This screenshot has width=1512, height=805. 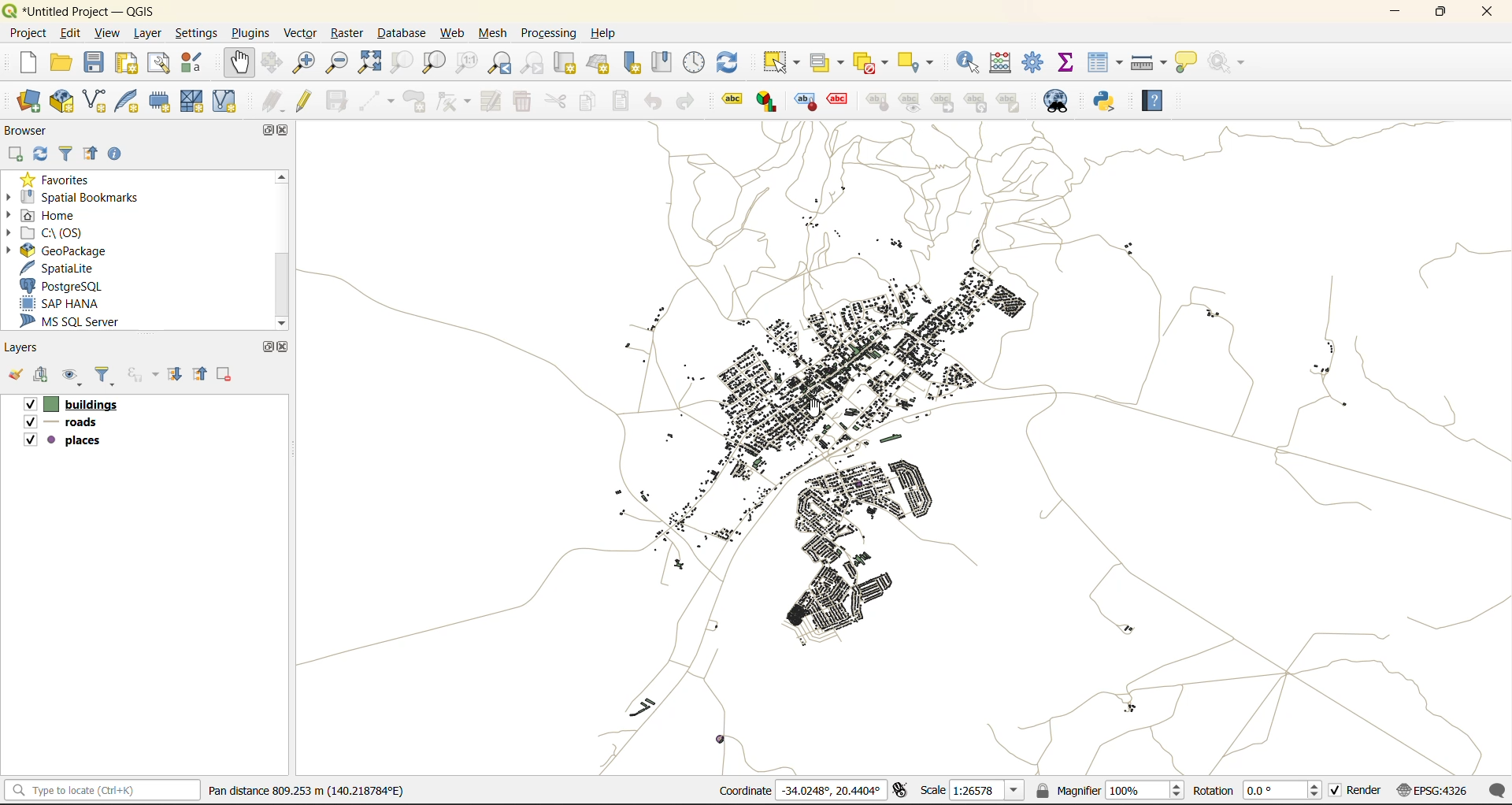 What do you see at coordinates (732, 102) in the screenshot?
I see `Label tool` at bounding box center [732, 102].